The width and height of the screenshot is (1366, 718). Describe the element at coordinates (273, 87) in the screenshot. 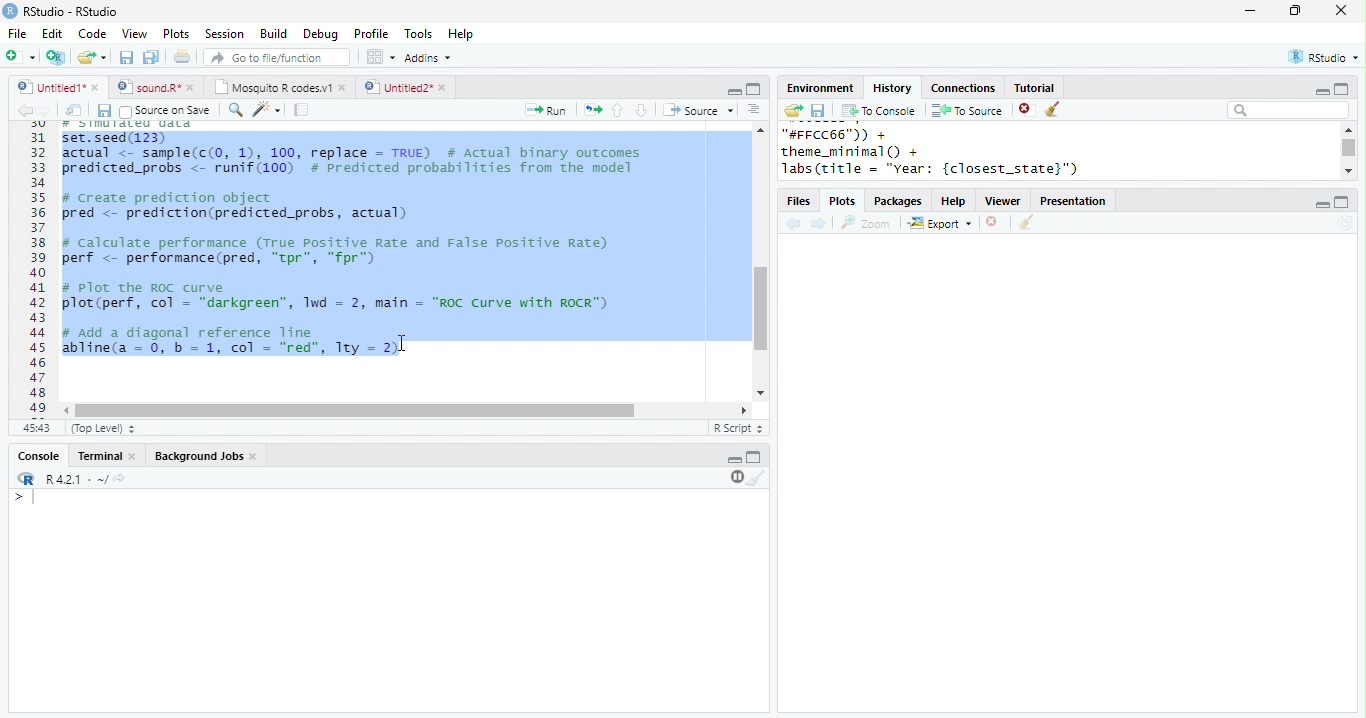

I see `Mosquito R codes.v1` at that location.